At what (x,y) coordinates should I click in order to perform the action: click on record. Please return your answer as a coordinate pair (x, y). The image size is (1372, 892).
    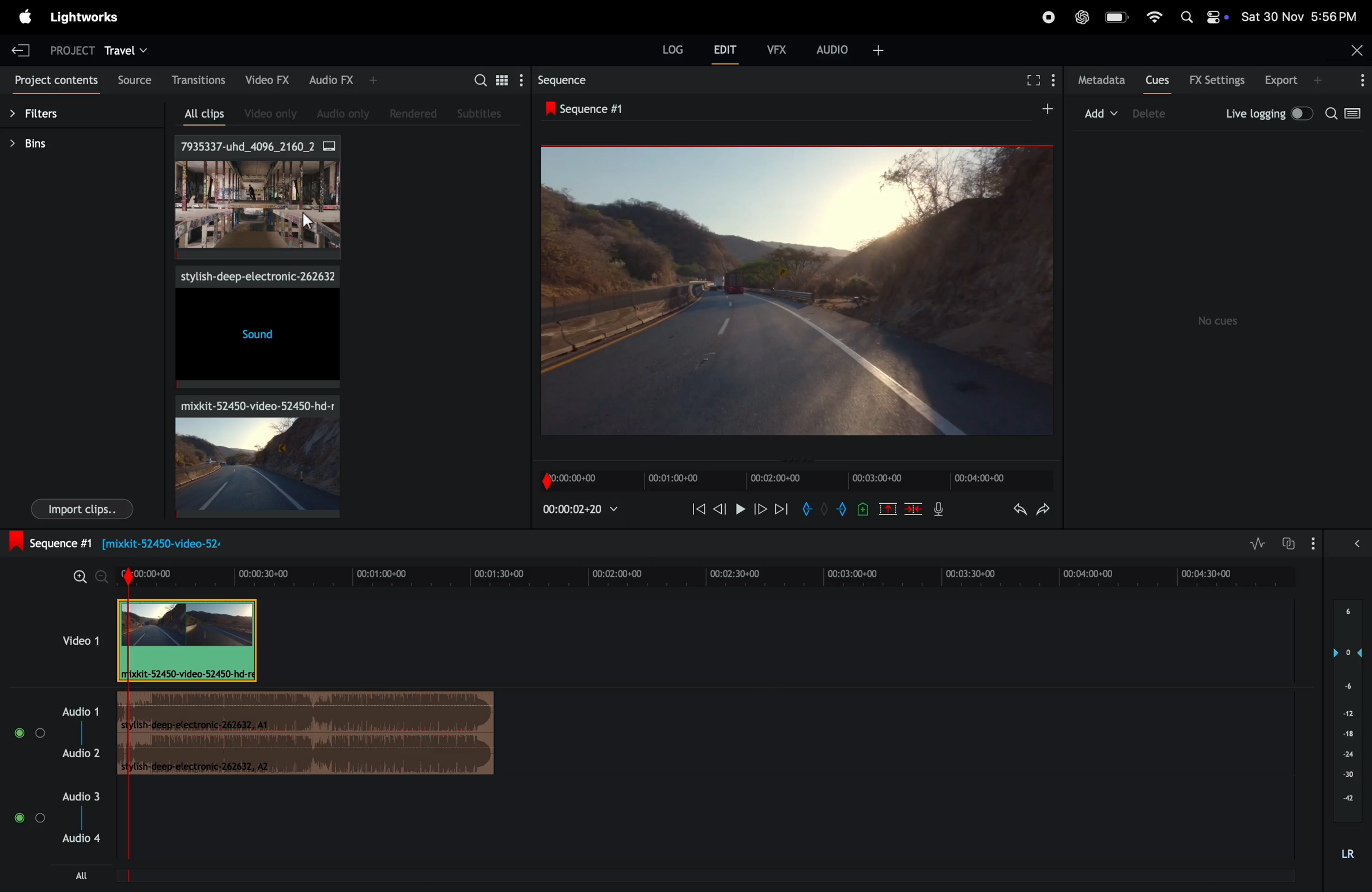
    Looking at the image, I should click on (1042, 16).